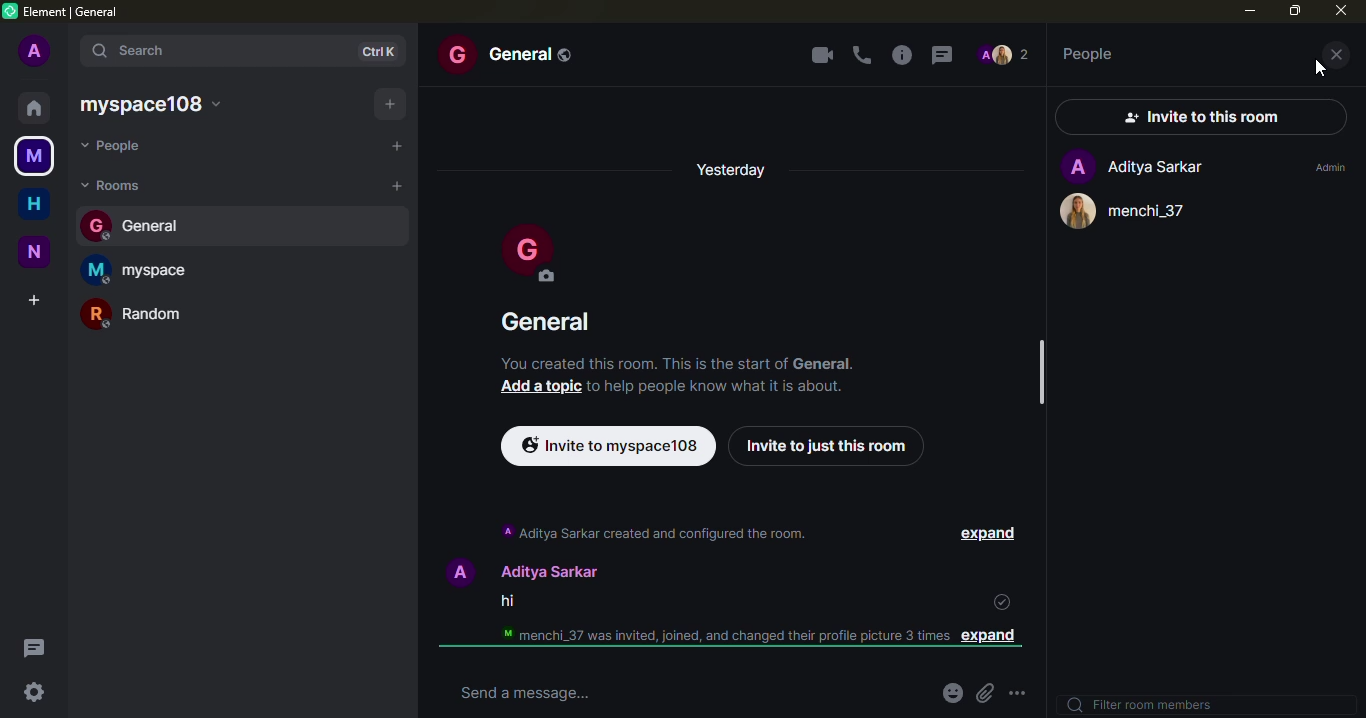  What do you see at coordinates (945, 53) in the screenshot?
I see `threads` at bounding box center [945, 53].